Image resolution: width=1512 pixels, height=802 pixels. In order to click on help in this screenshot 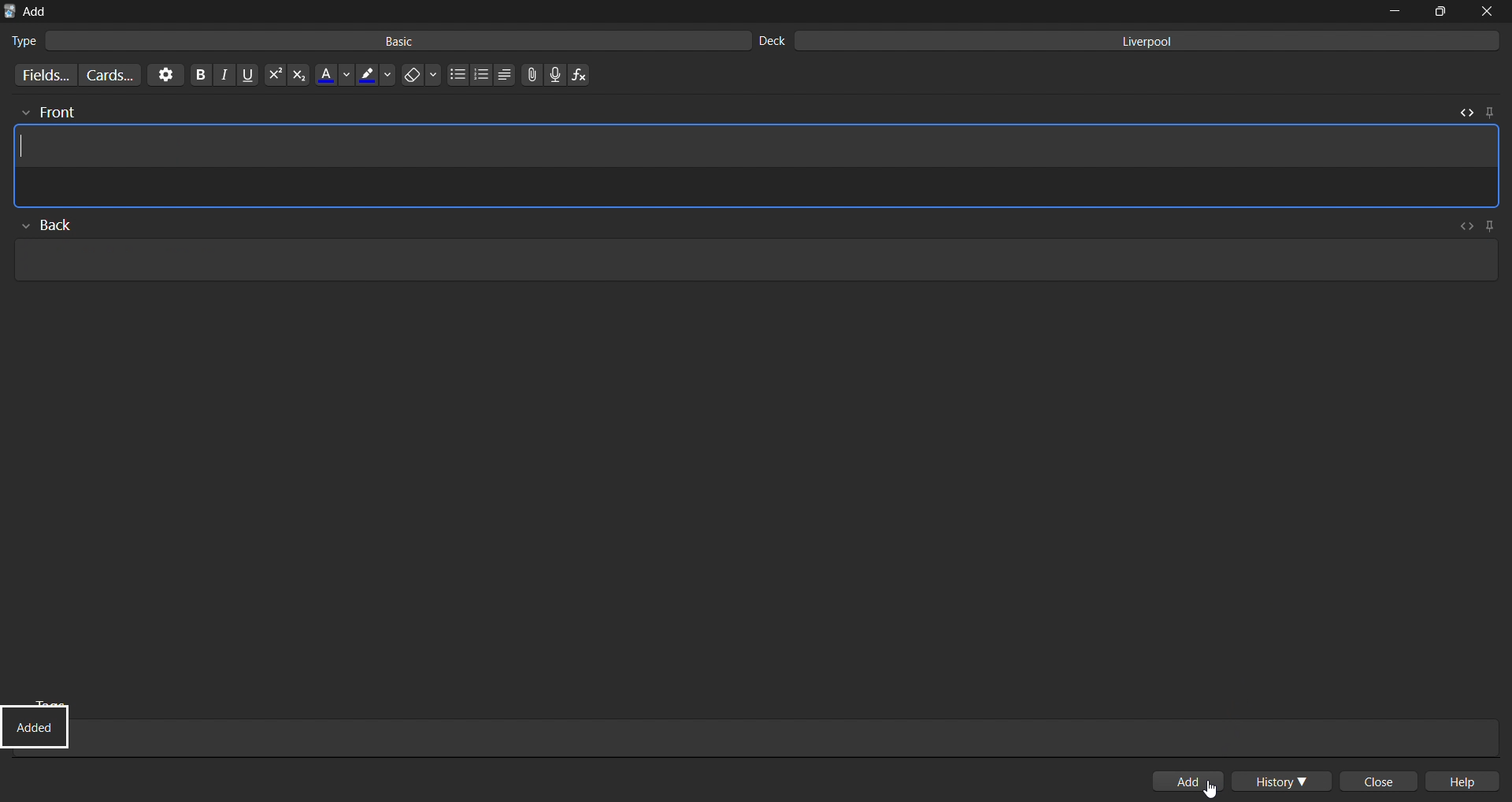, I will do `click(1469, 782)`.